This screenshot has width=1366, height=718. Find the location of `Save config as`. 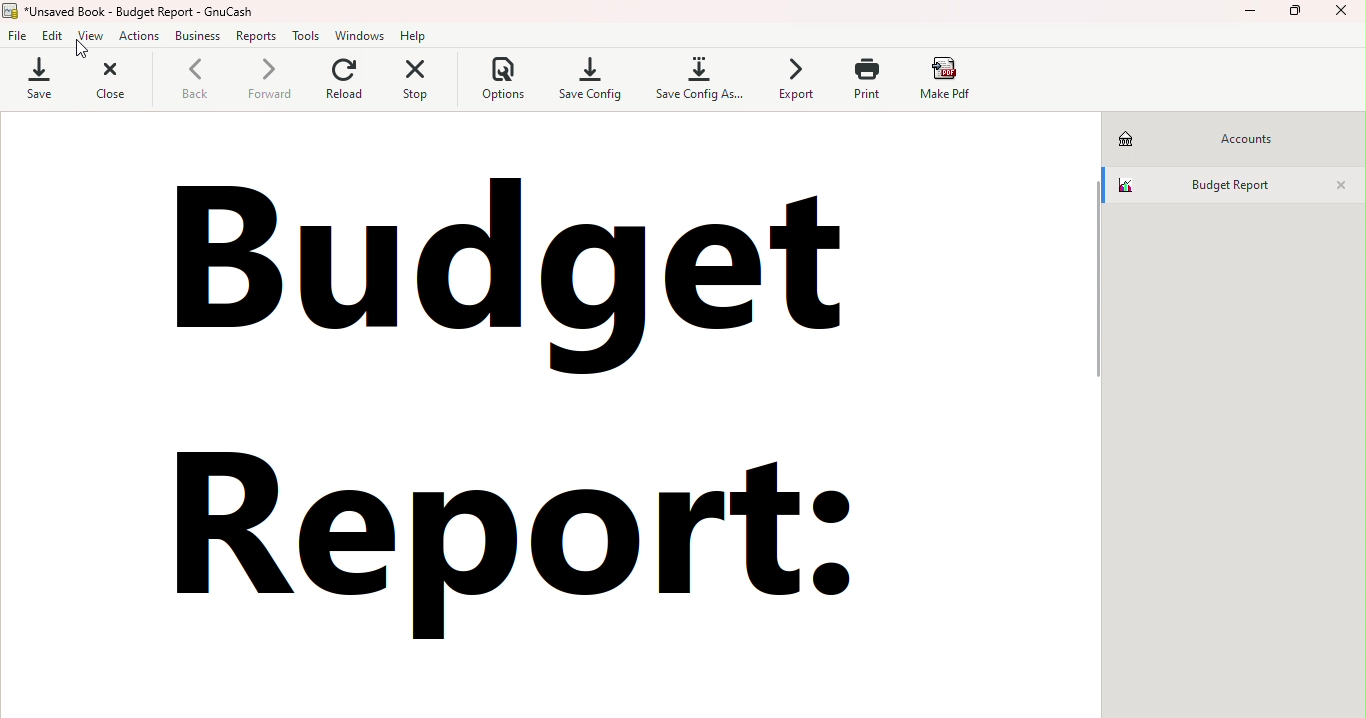

Save config as is located at coordinates (696, 79).